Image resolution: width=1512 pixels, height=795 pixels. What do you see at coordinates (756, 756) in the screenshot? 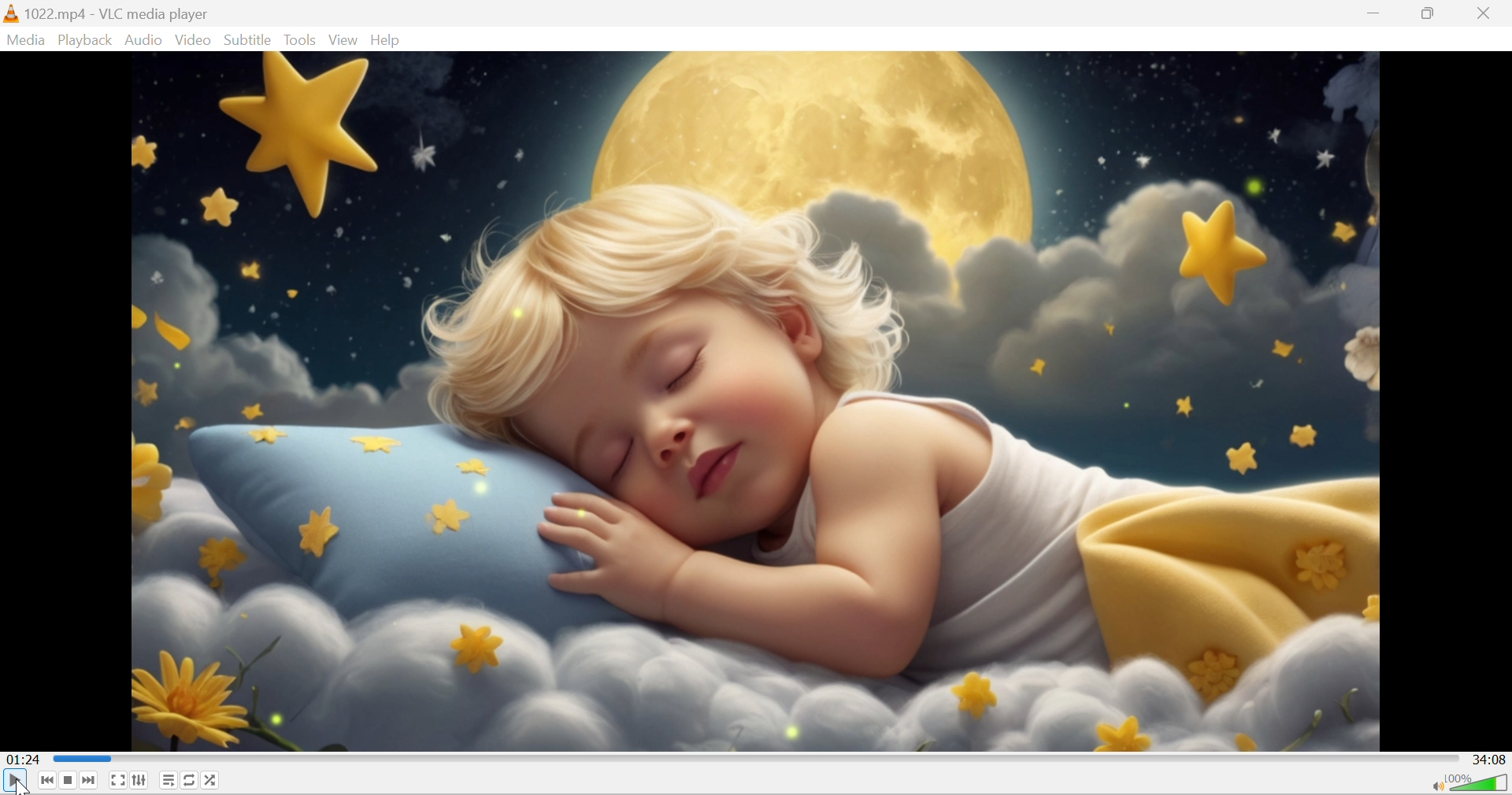
I see `Progress bar` at bounding box center [756, 756].